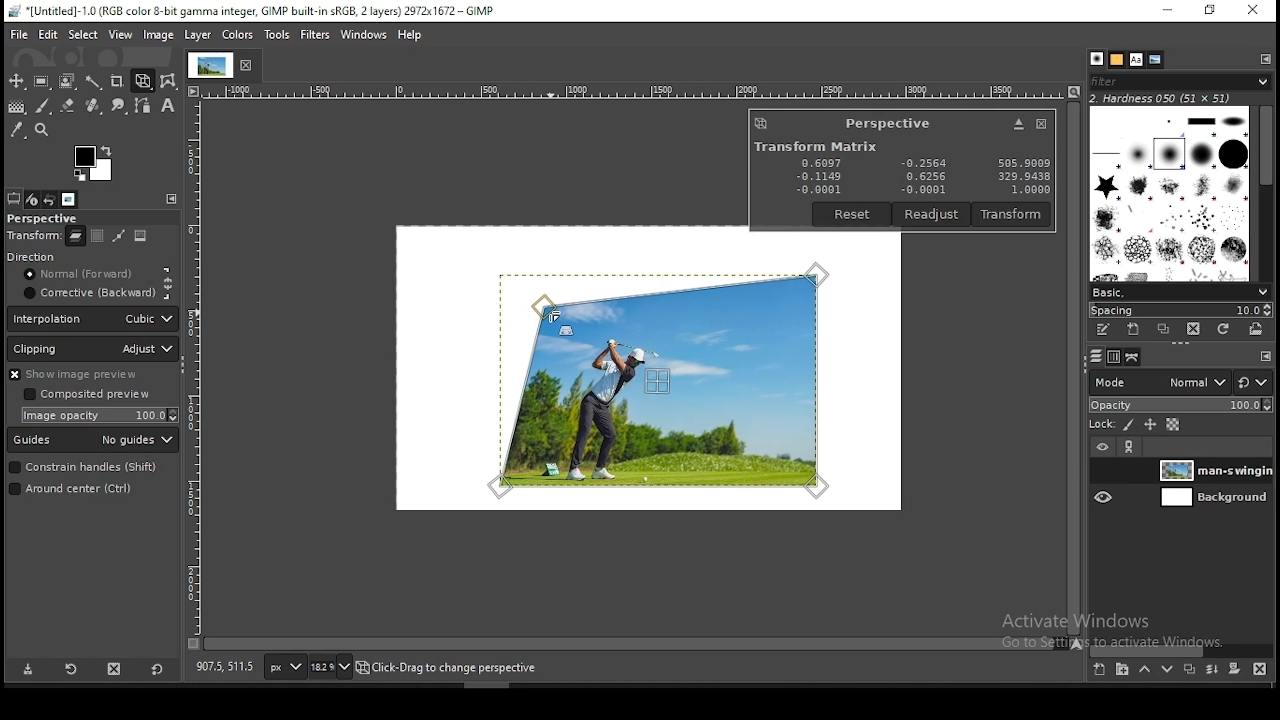 This screenshot has width=1280, height=720. Describe the element at coordinates (1131, 449) in the screenshot. I see `link` at that location.